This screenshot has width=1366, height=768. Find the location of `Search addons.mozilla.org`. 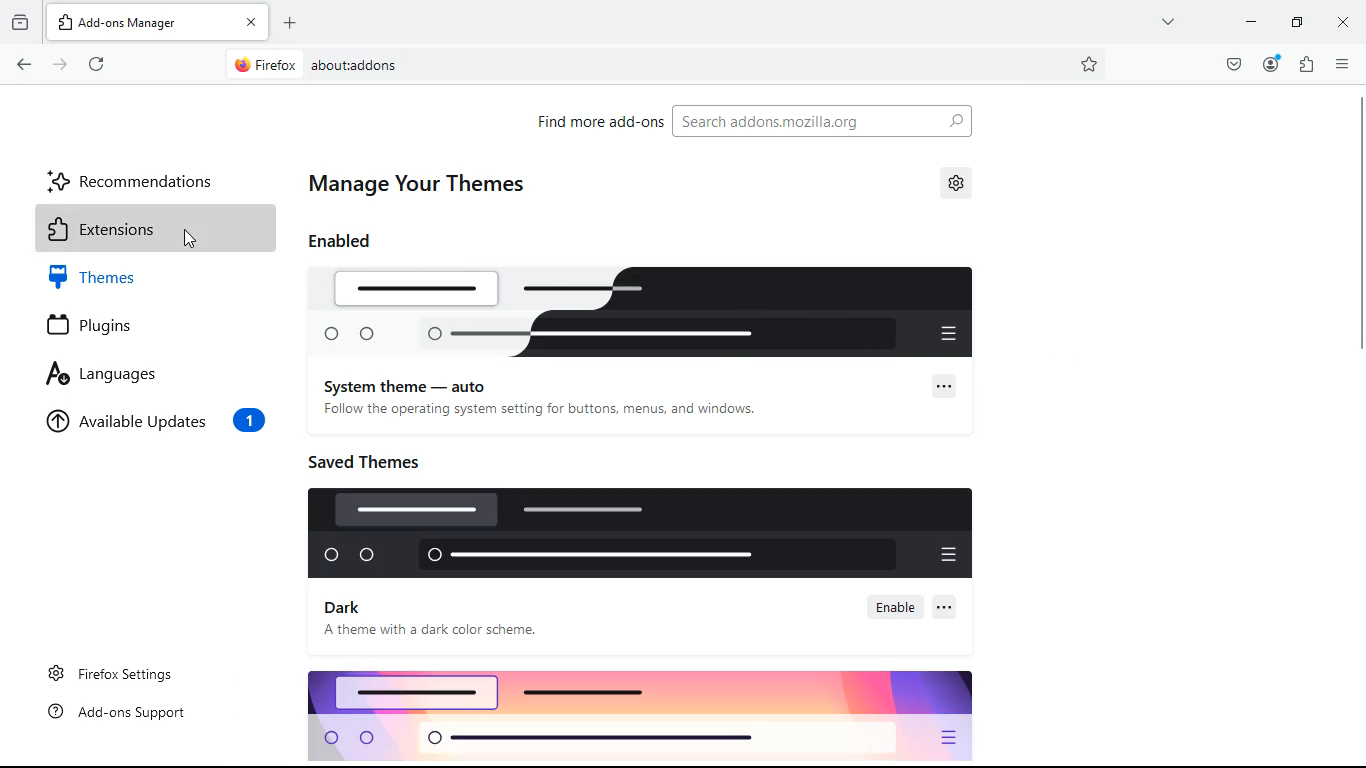

Search addons.mozilla.org is located at coordinates (820, 121).